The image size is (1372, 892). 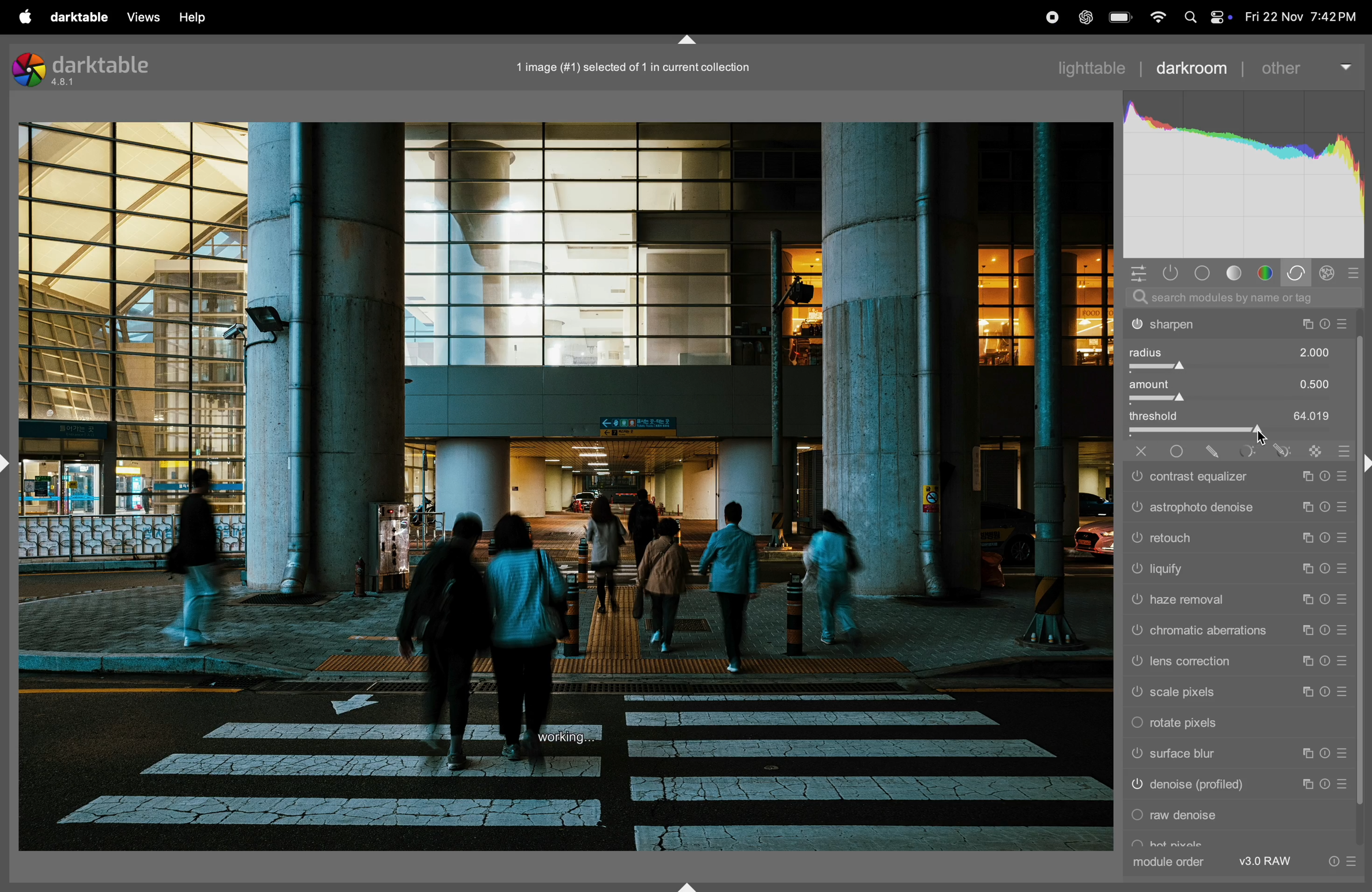 I want to click on darktable, so click(x=78, y=17).